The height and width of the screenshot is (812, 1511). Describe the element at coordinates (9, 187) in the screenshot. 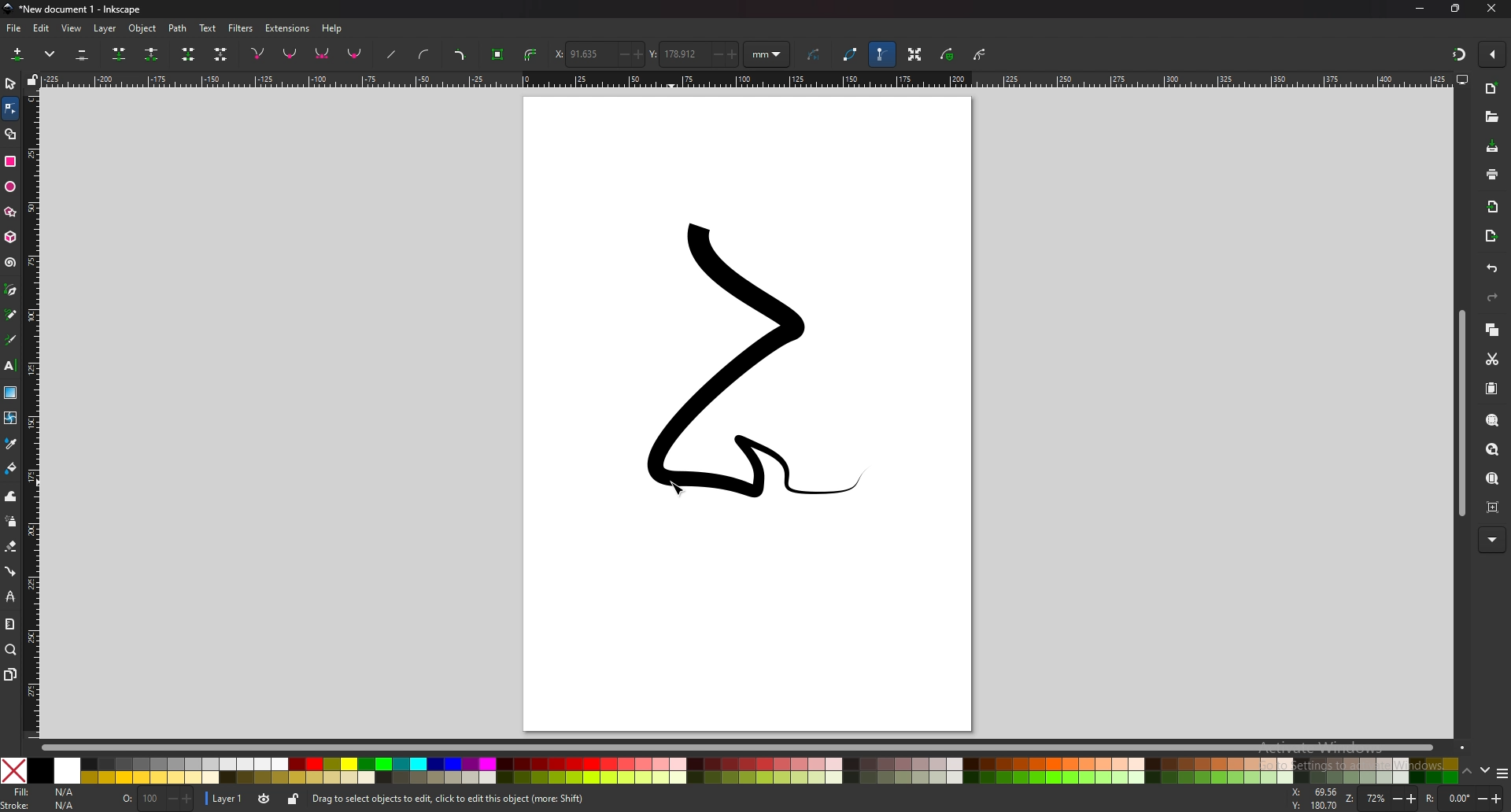

I see `ellipse` at that location.